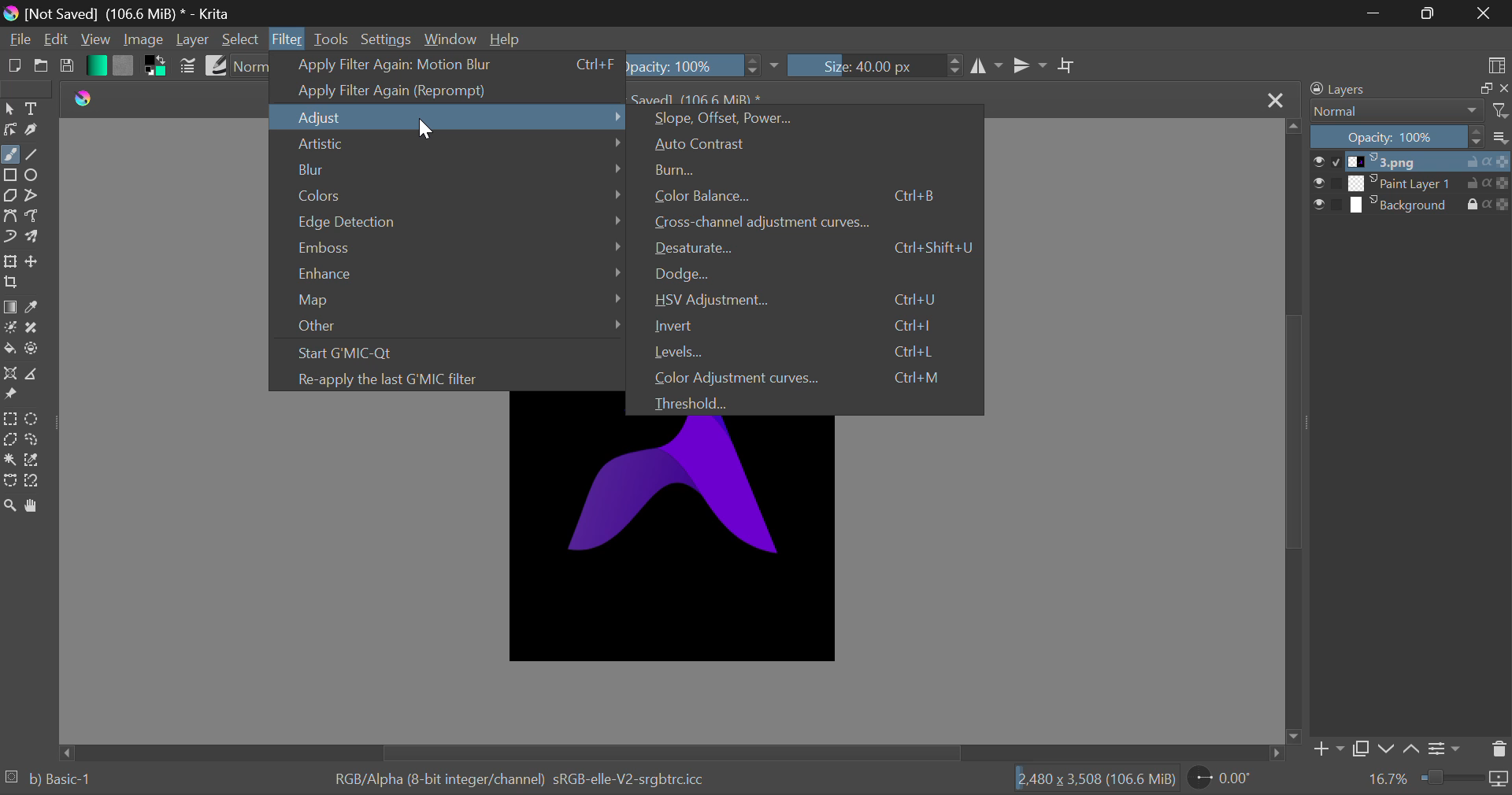 The image size is (1512, 795). What do you see at coordinates (10, 505) in the screenshot?
I see `Zoom` at bounding box center [10, 505].